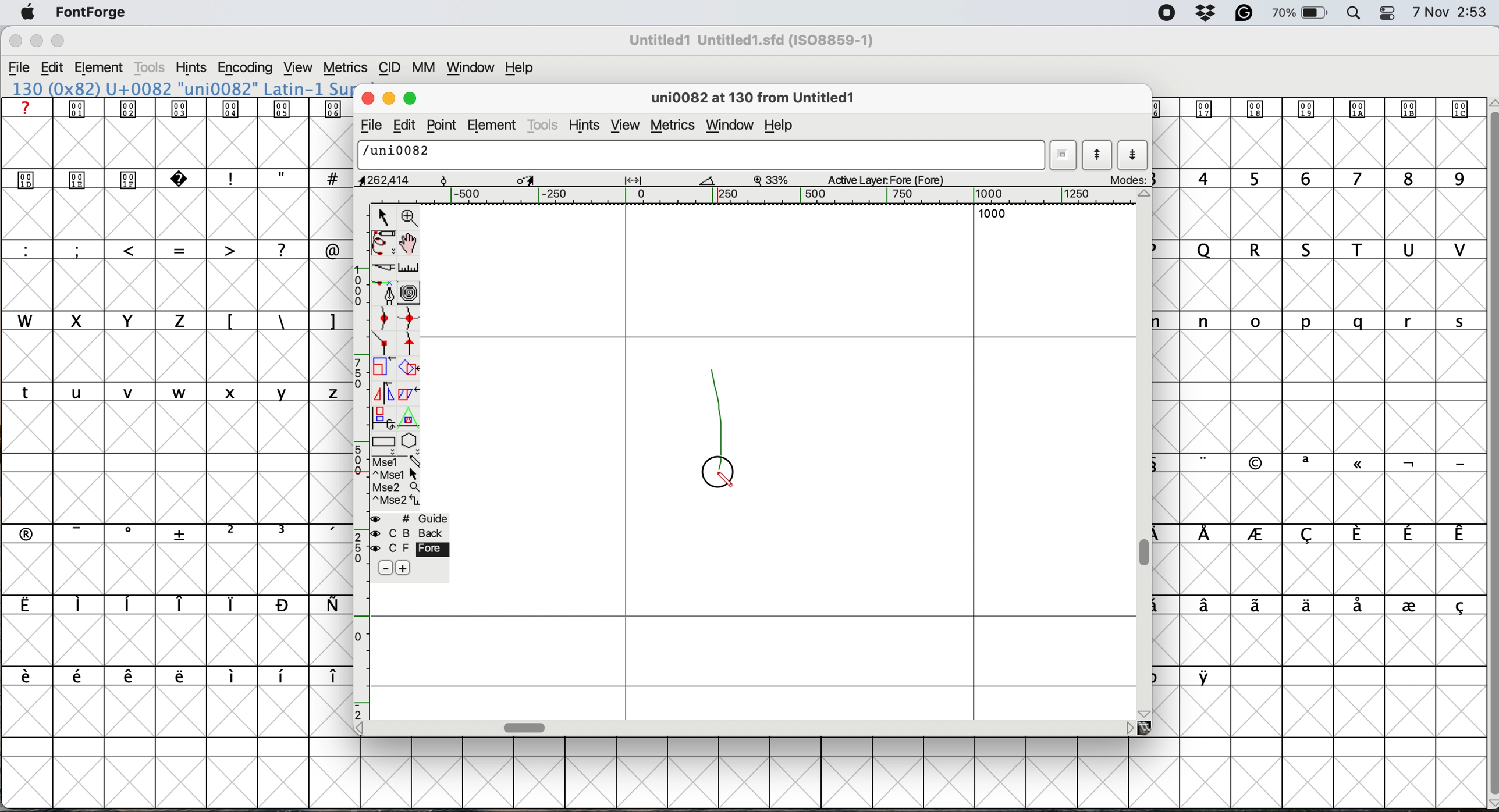 This screenshot has width=1499, height=812. I want to click on special characters, so click(169, 533).